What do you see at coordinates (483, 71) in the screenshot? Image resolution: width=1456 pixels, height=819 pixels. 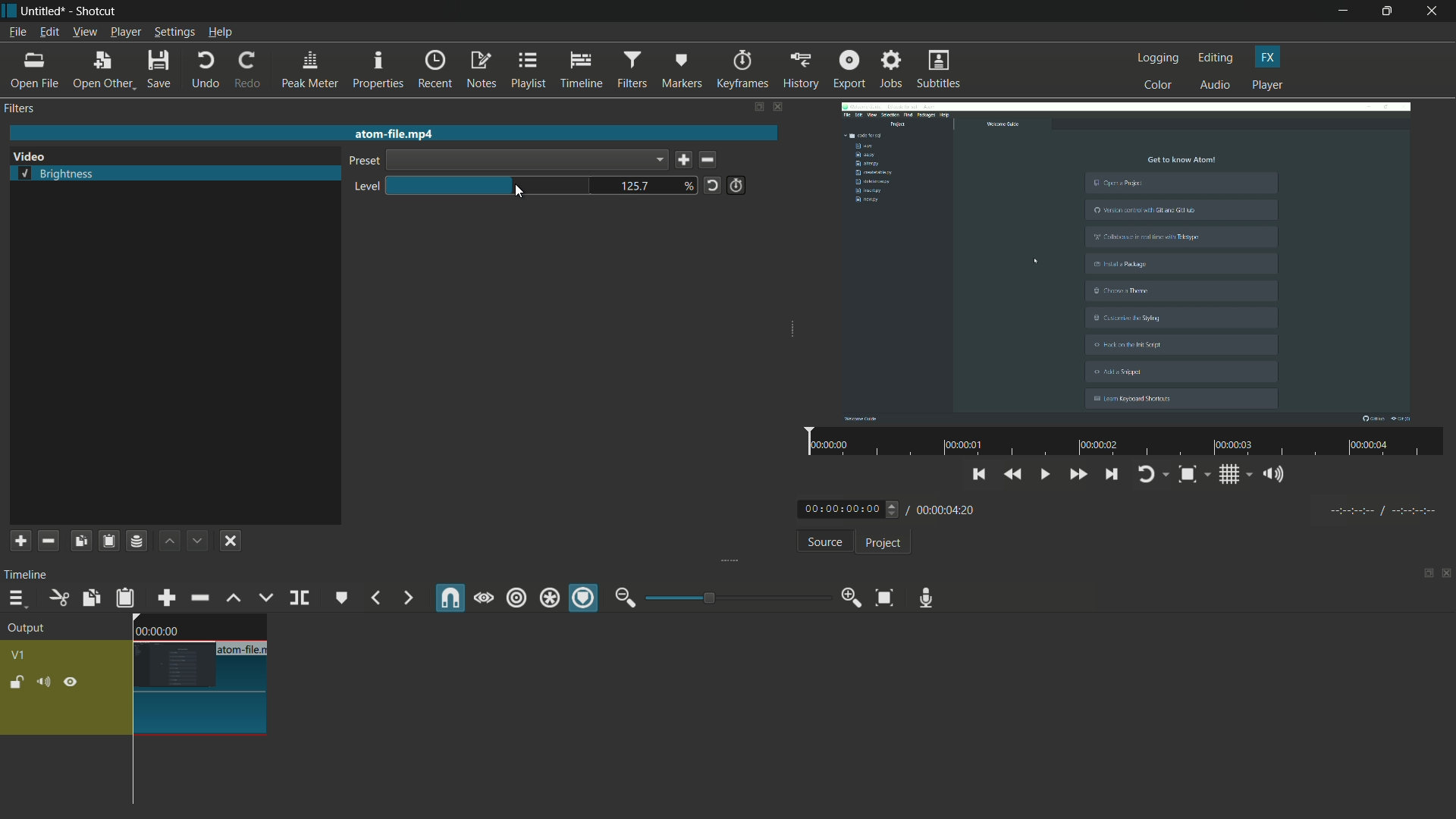 I see `notes` at bounding box center [483, 71].